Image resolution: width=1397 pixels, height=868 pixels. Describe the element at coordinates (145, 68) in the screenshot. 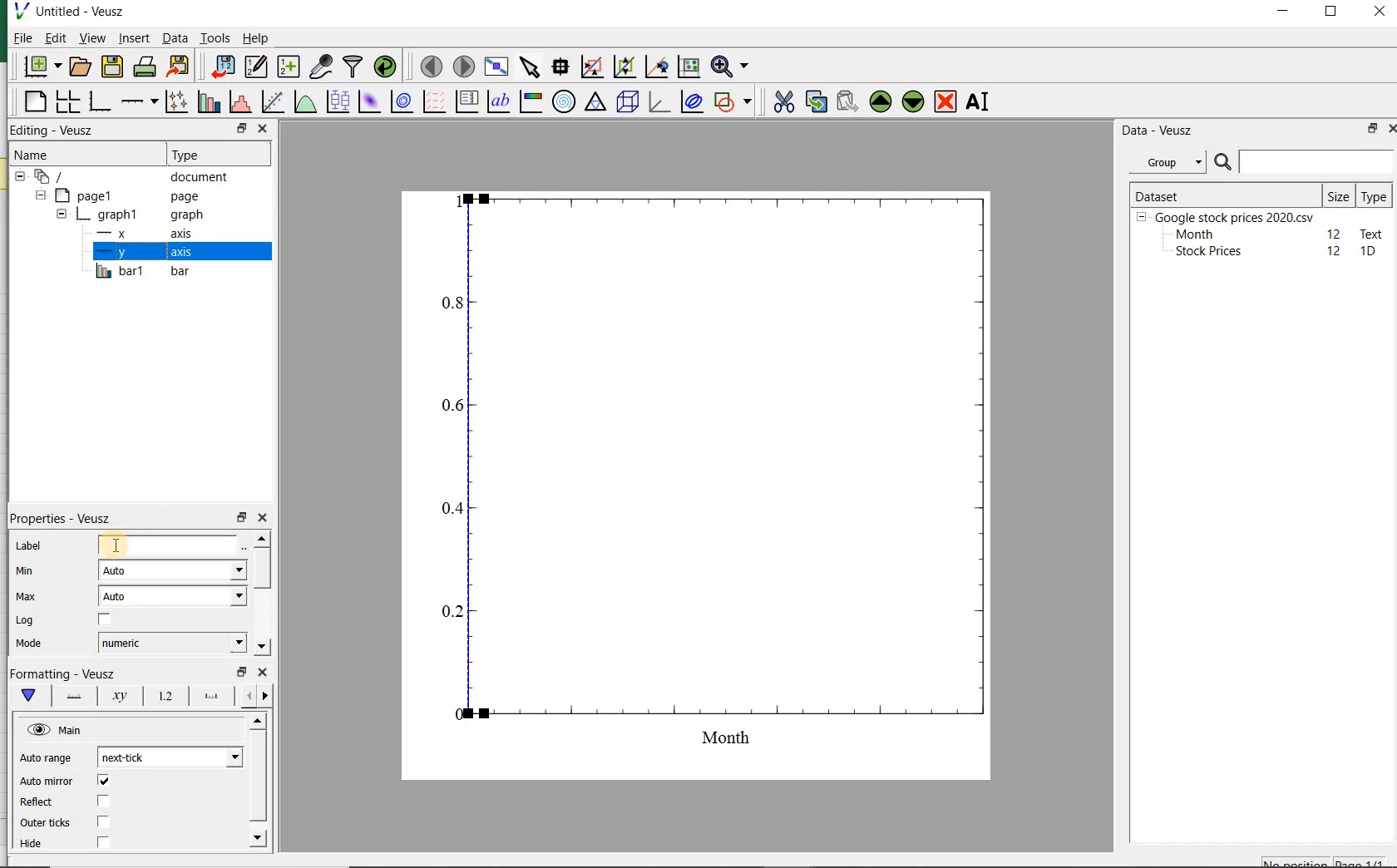

I see `print the document` at that location.